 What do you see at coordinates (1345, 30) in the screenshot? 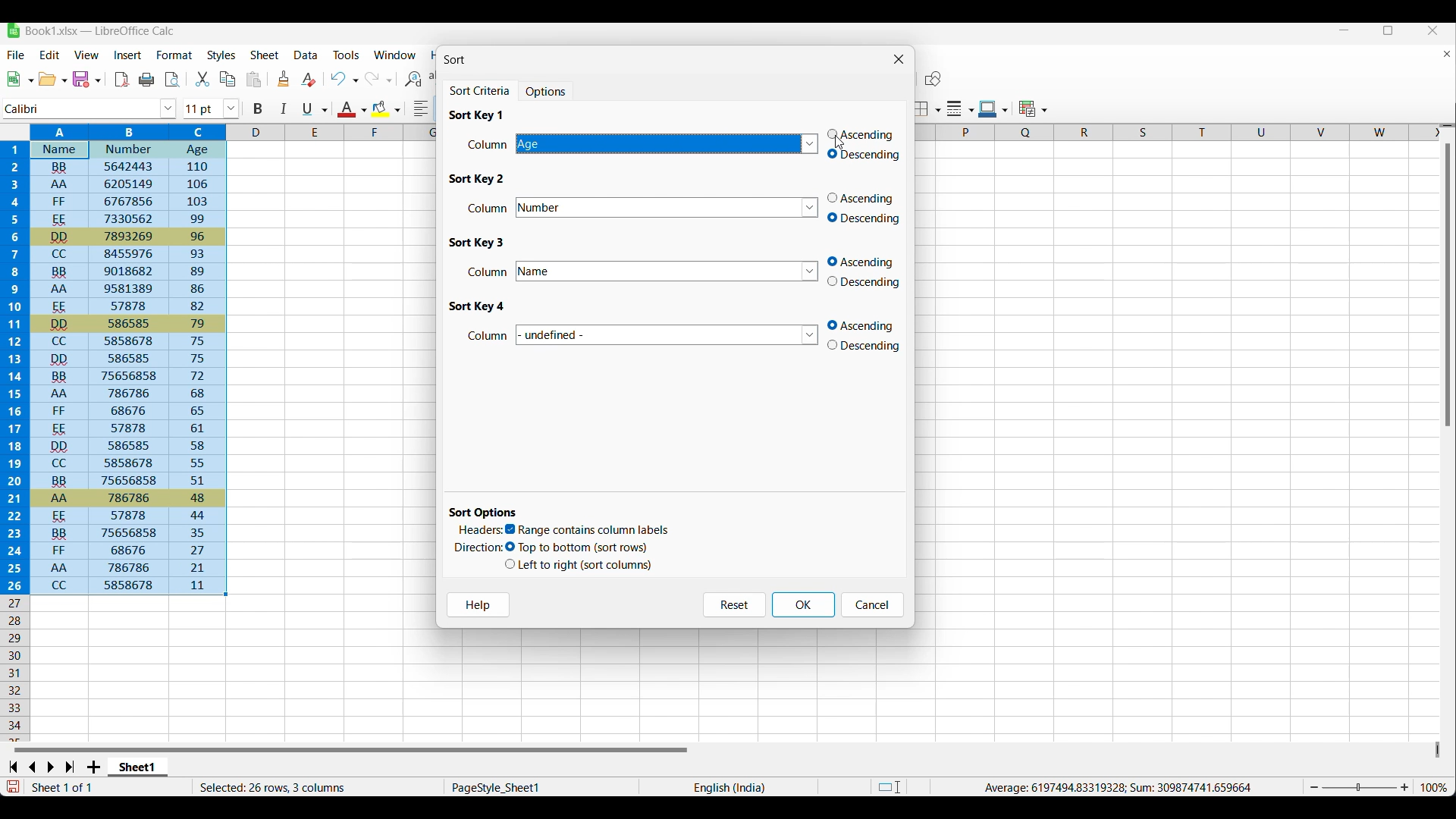
I see `Minimize` at bounding box center [1345, 30].